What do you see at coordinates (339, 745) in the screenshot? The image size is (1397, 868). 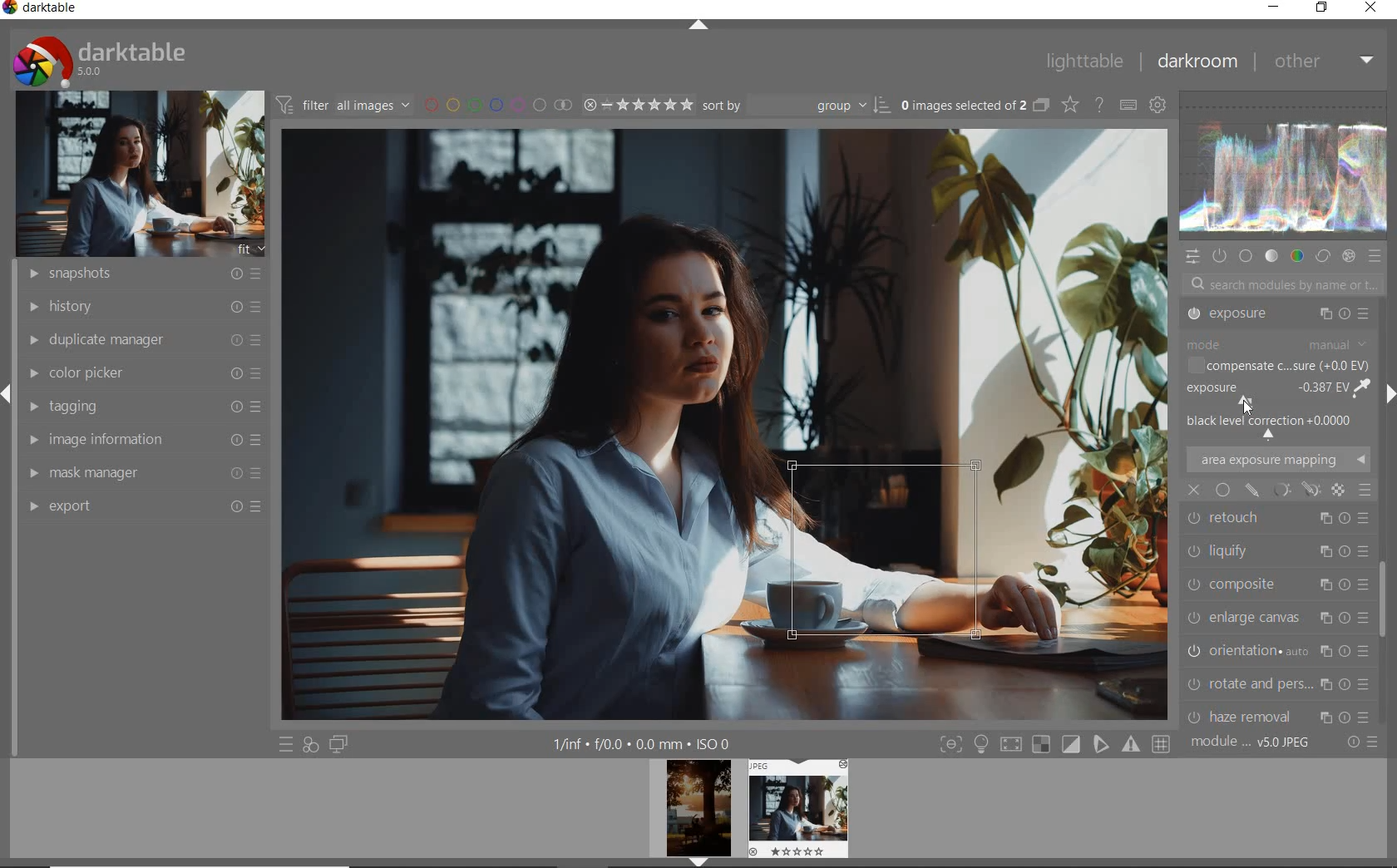 I see `DISPLAY A SECOND DARKROOM IMAGE WINDOW` at bounding box center [339, 745].